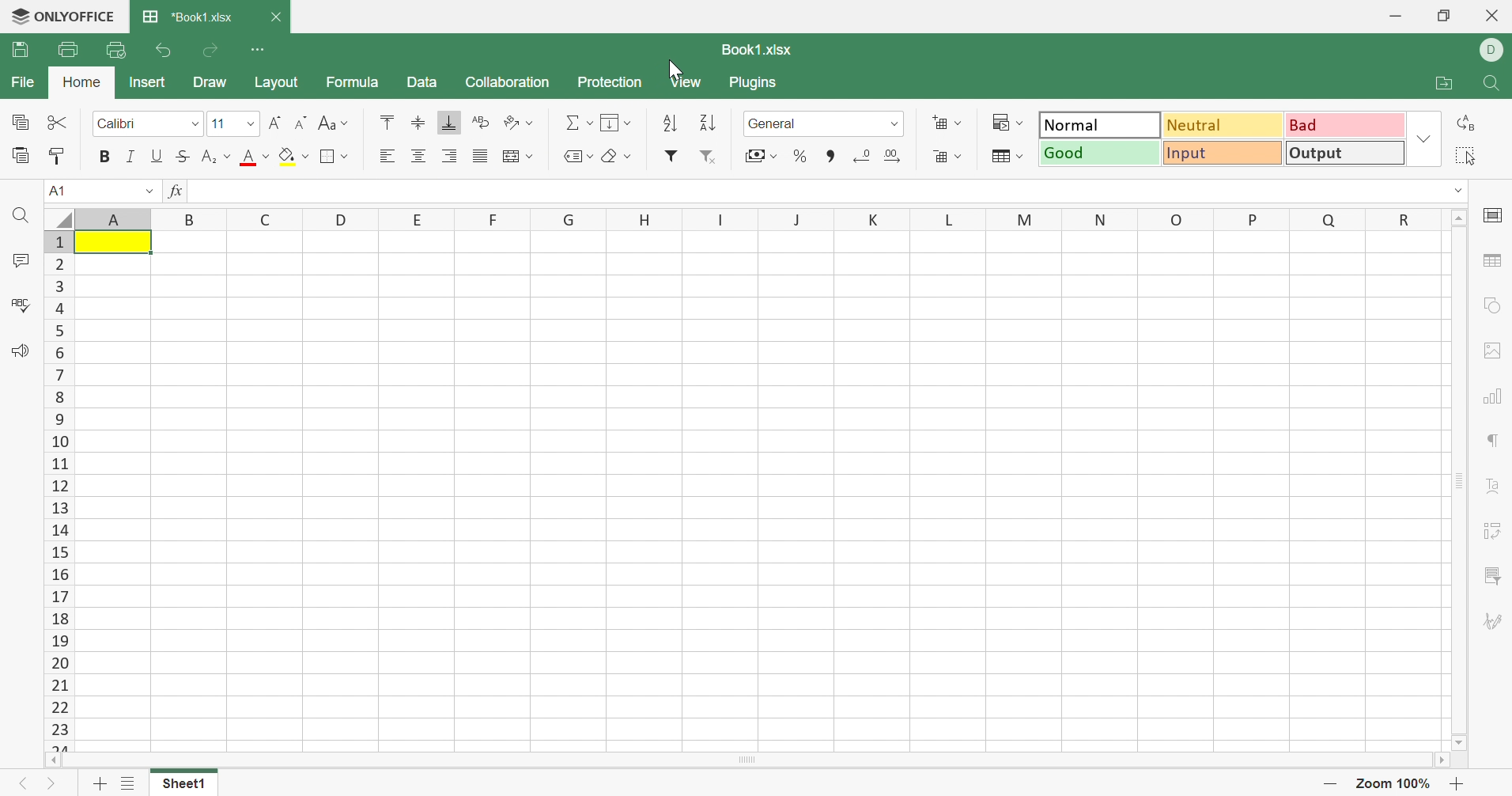 The height and width of the screenshot is (796, 1512). What do you see at coordinates (1493, 623) in the screenshot?
I see `Signature settings` at bounding box center [1493, 623].